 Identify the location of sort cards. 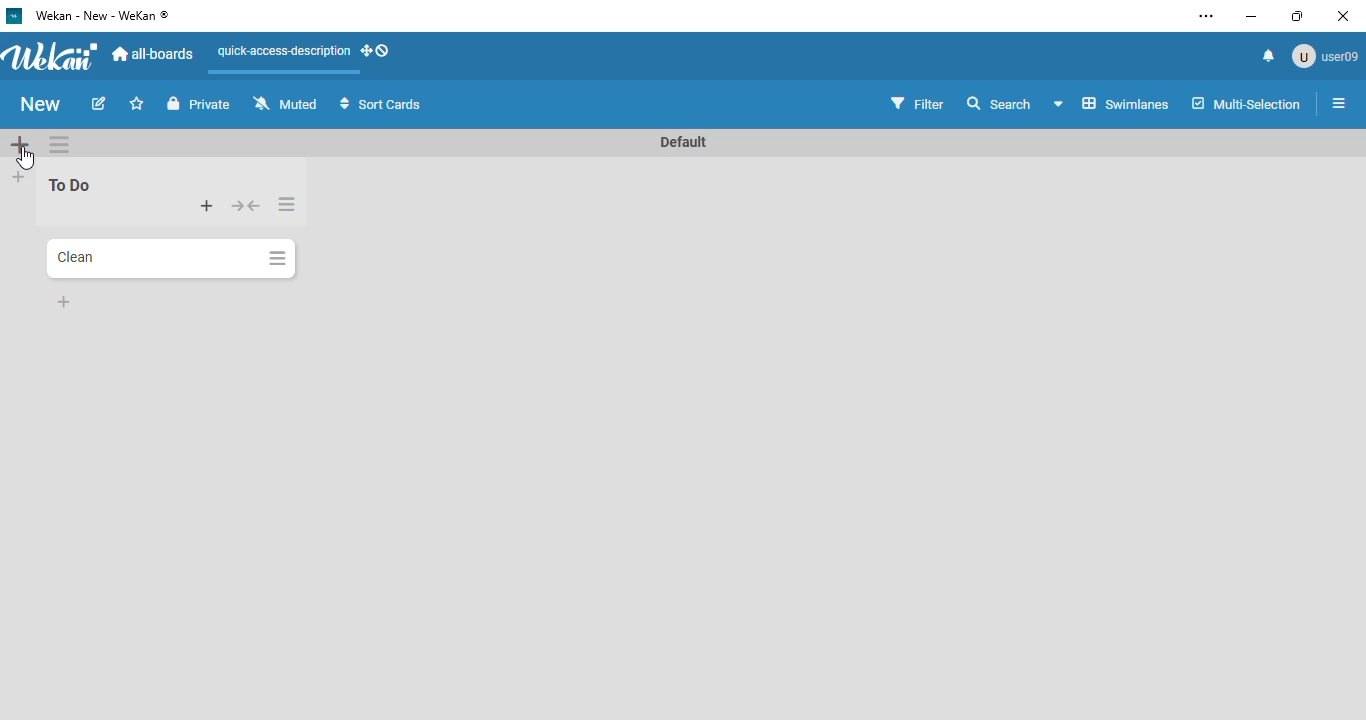
(380, 103).